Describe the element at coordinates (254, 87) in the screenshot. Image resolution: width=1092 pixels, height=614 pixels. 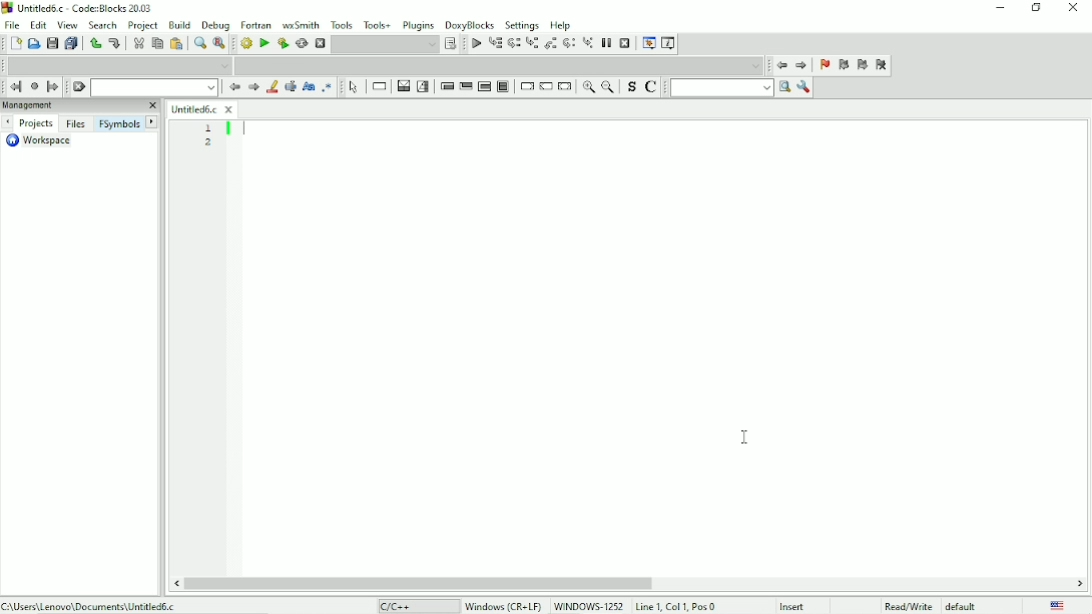
I see `Next` at that location.